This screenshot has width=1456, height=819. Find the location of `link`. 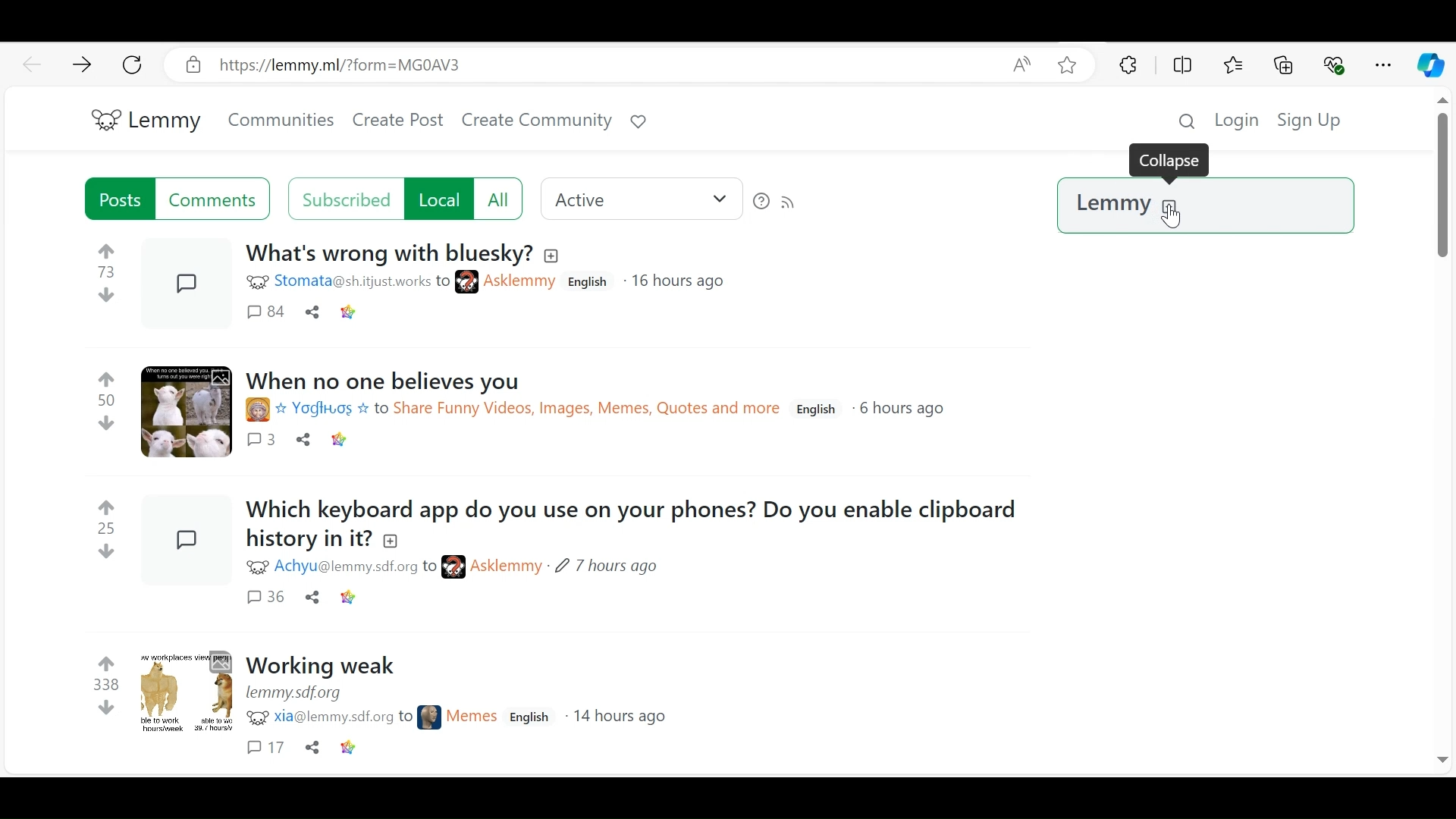

link is located at coordinates (343, 441).